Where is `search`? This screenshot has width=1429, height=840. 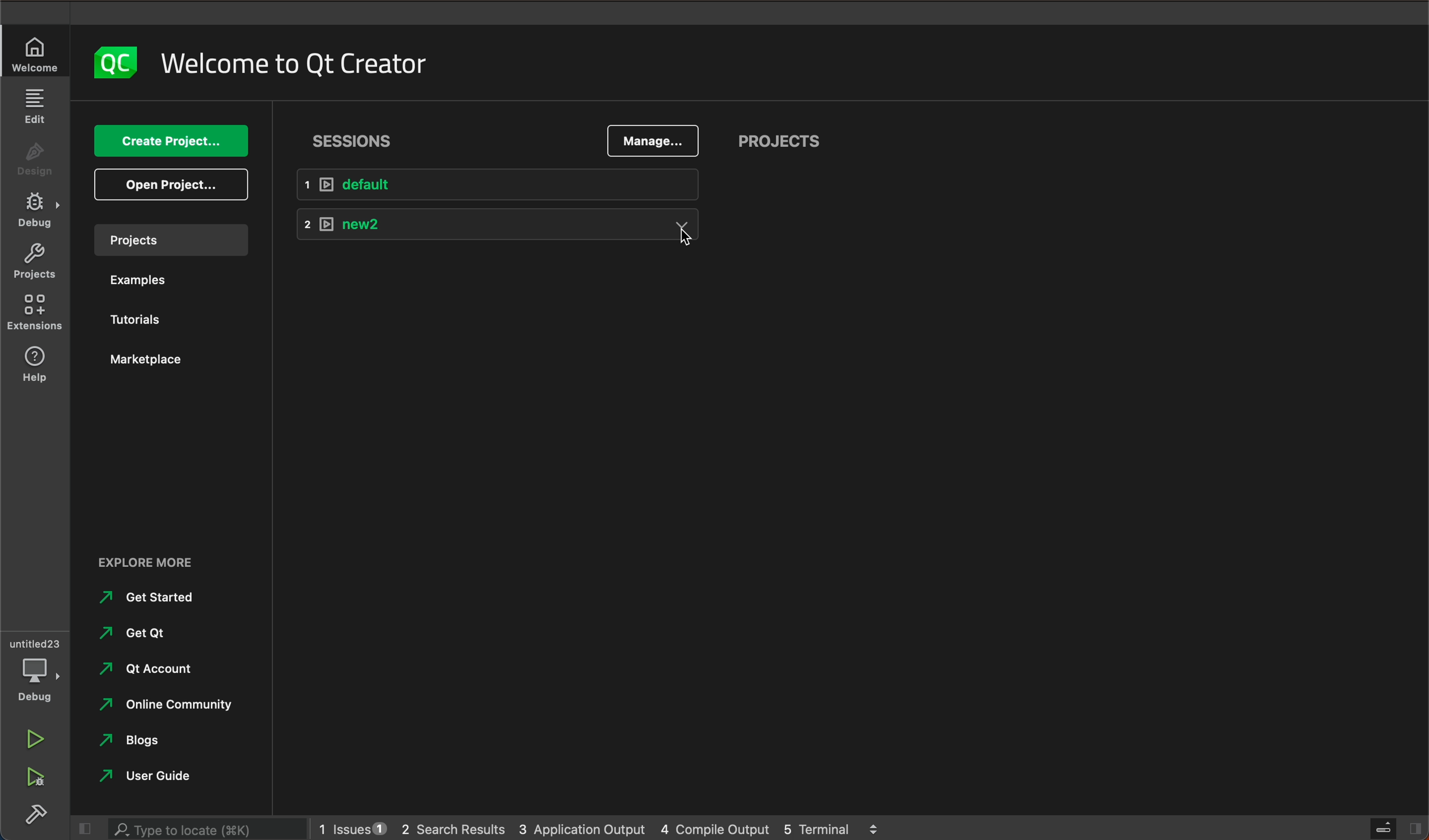
search is located at coordinates (200, 828).